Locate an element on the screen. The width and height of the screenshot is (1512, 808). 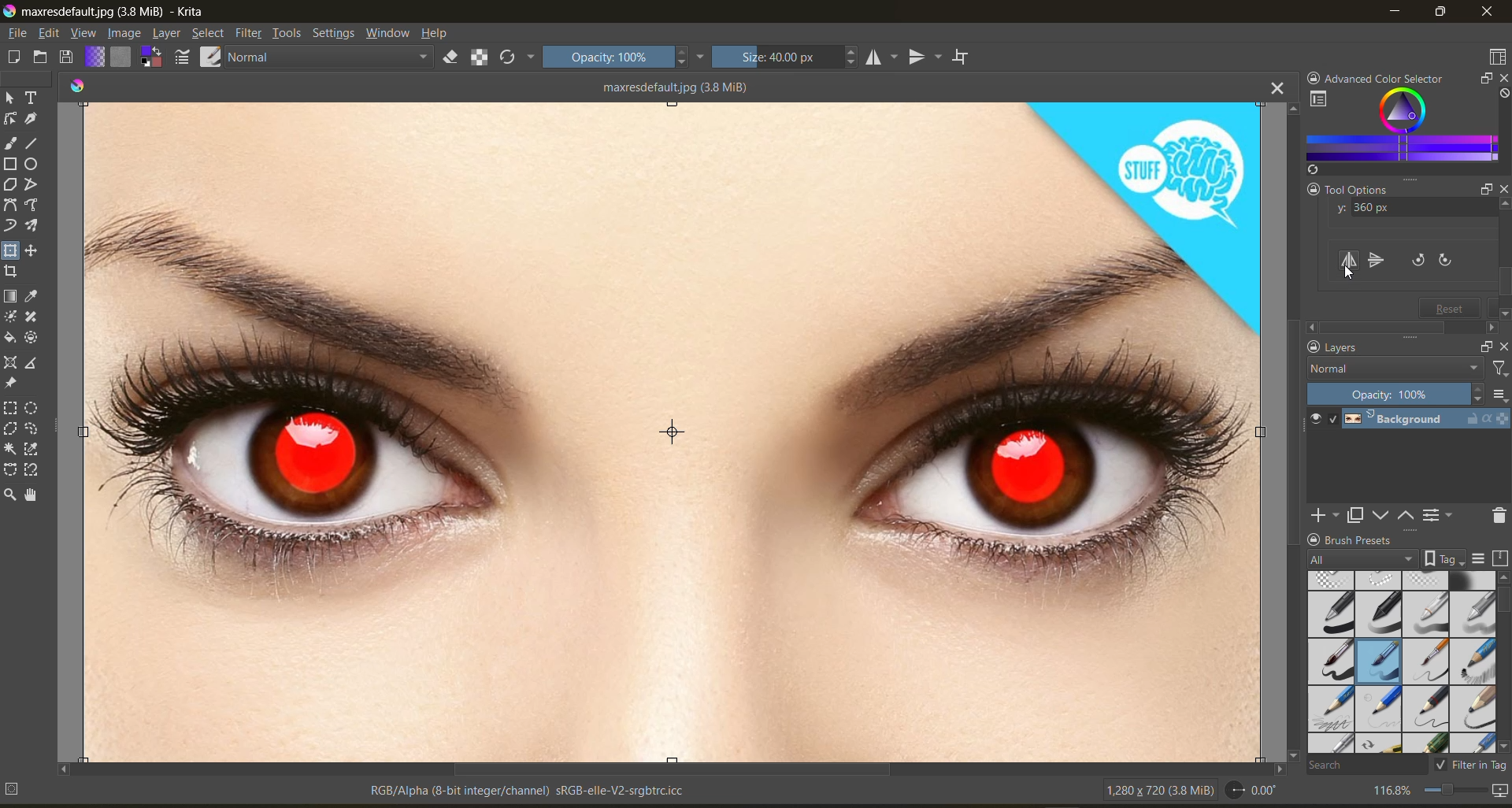
tool is located at coordinates (9, 384).